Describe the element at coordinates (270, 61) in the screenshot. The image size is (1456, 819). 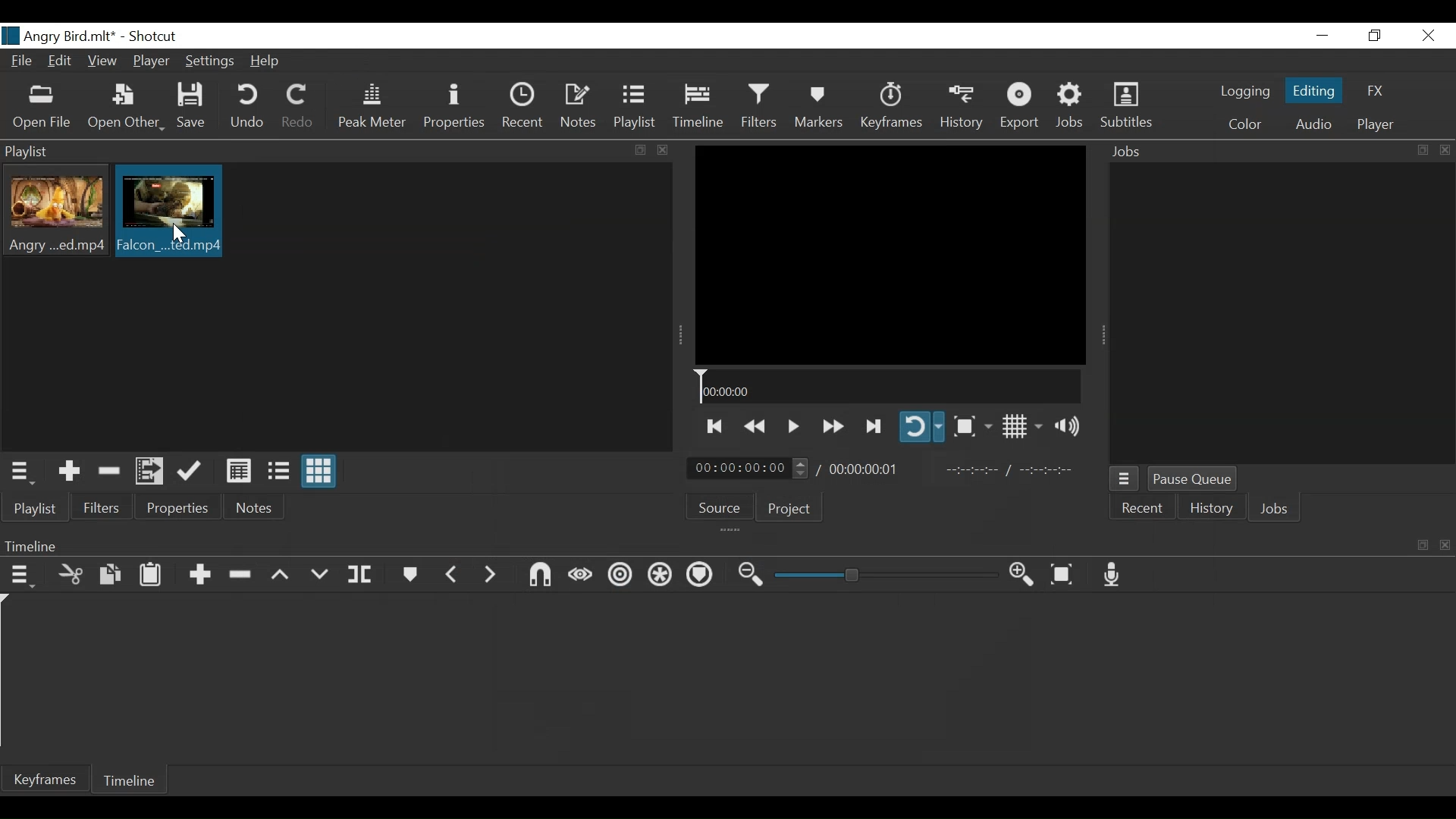
I see `Help` at that location.